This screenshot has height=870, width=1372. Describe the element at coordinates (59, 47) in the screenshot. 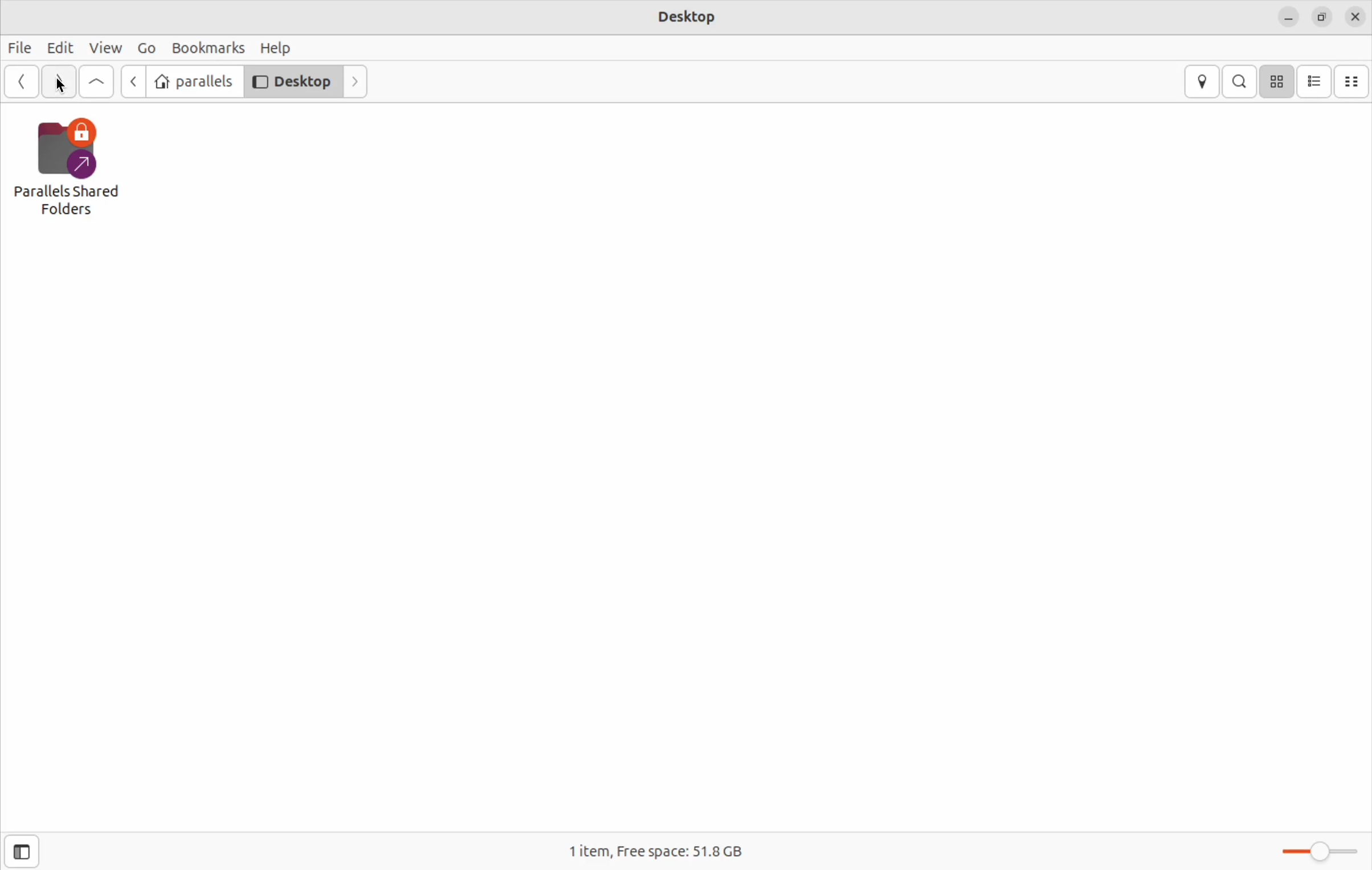

I see `edit` at that location.